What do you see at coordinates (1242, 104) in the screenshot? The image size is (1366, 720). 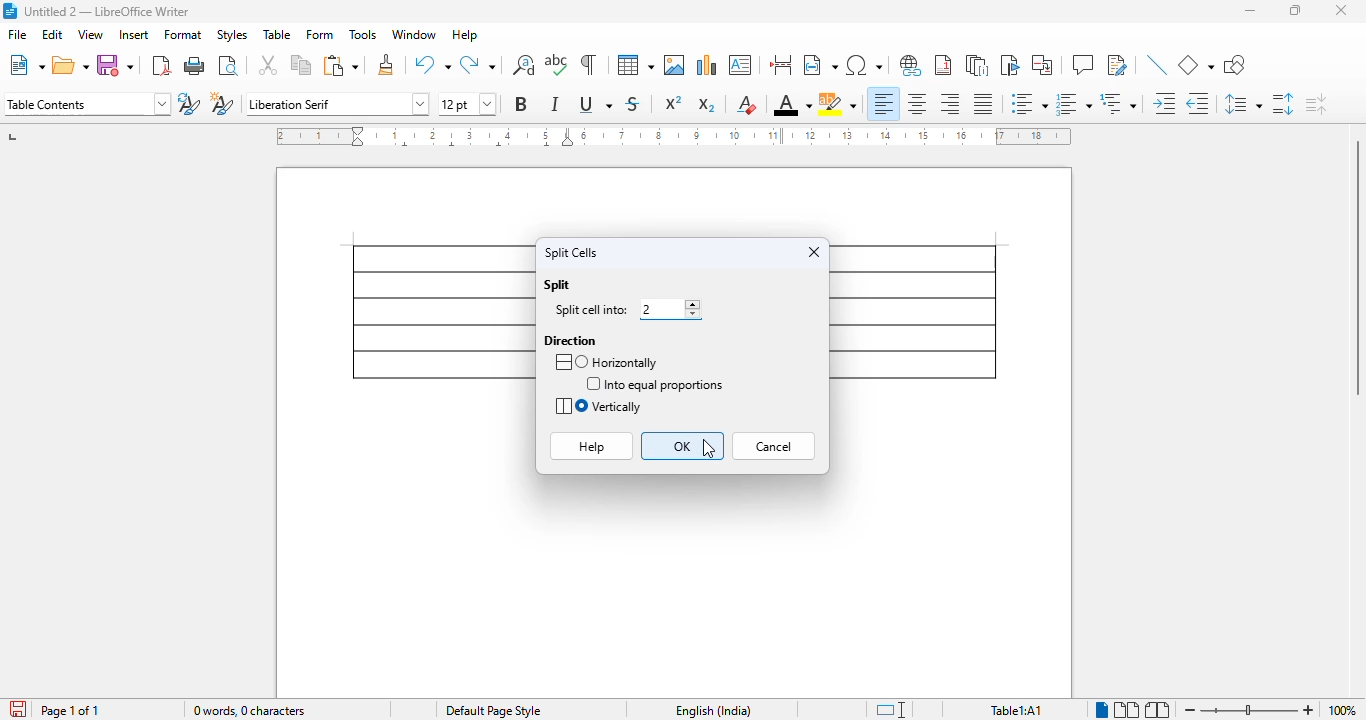 I see `set line spacing` at bounding box center [1242, 104].